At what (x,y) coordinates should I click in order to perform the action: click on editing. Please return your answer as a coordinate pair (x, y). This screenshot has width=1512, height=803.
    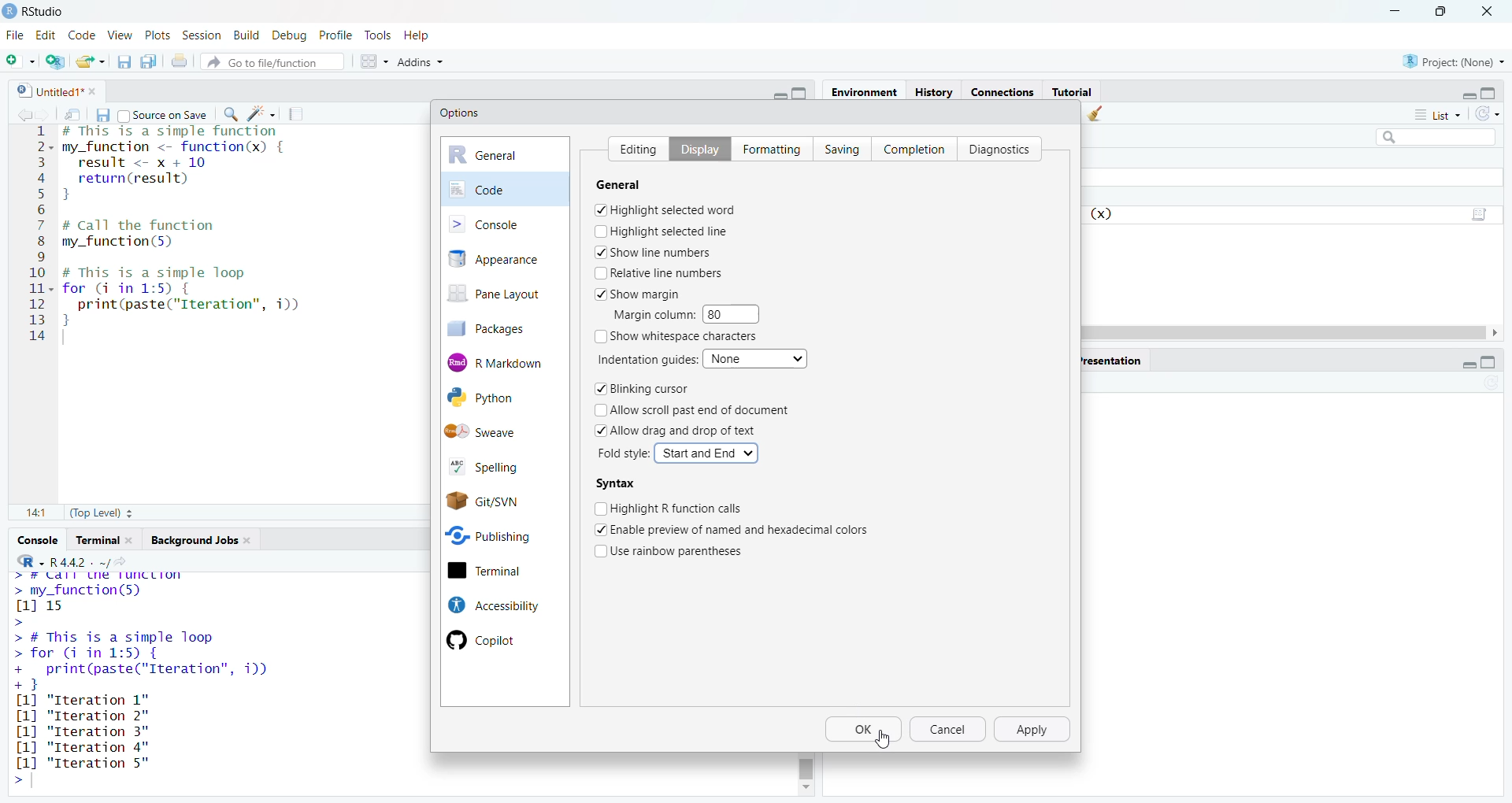
    Looking at the image, I should click on (633, 146).